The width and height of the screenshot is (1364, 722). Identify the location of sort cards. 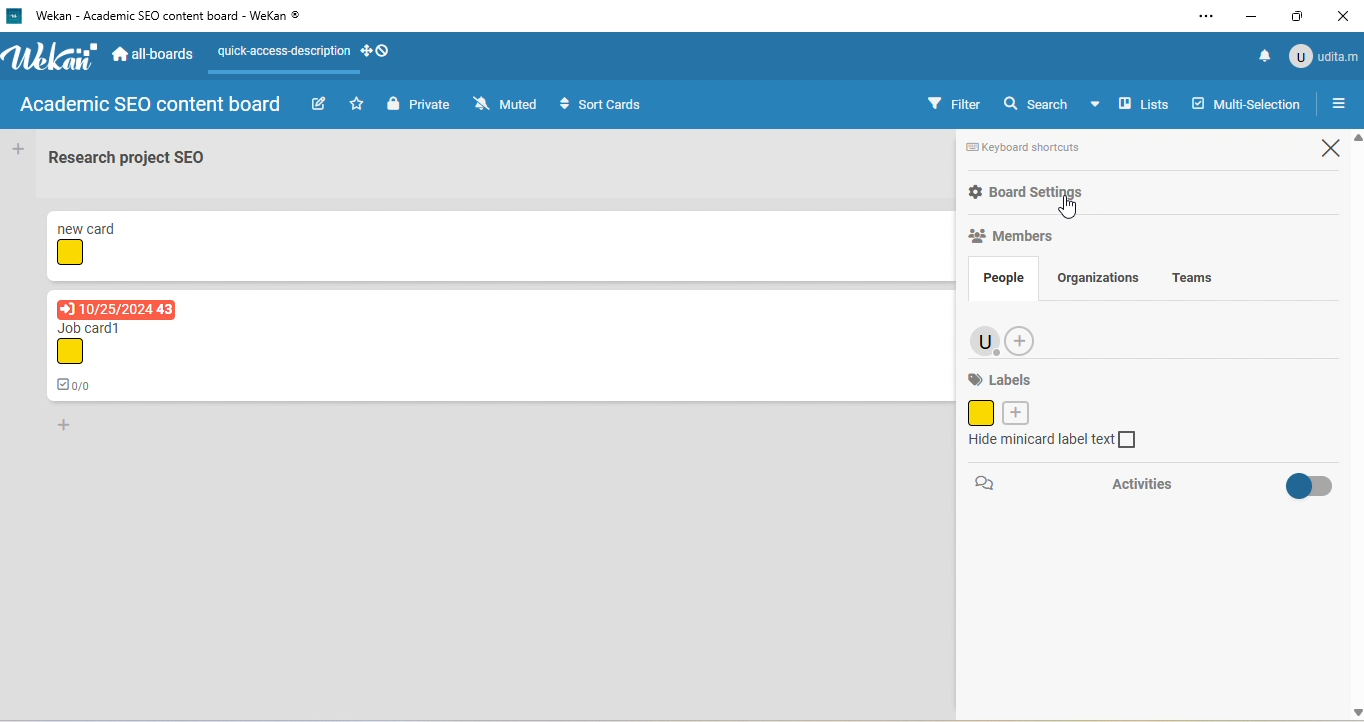
(601, 104).